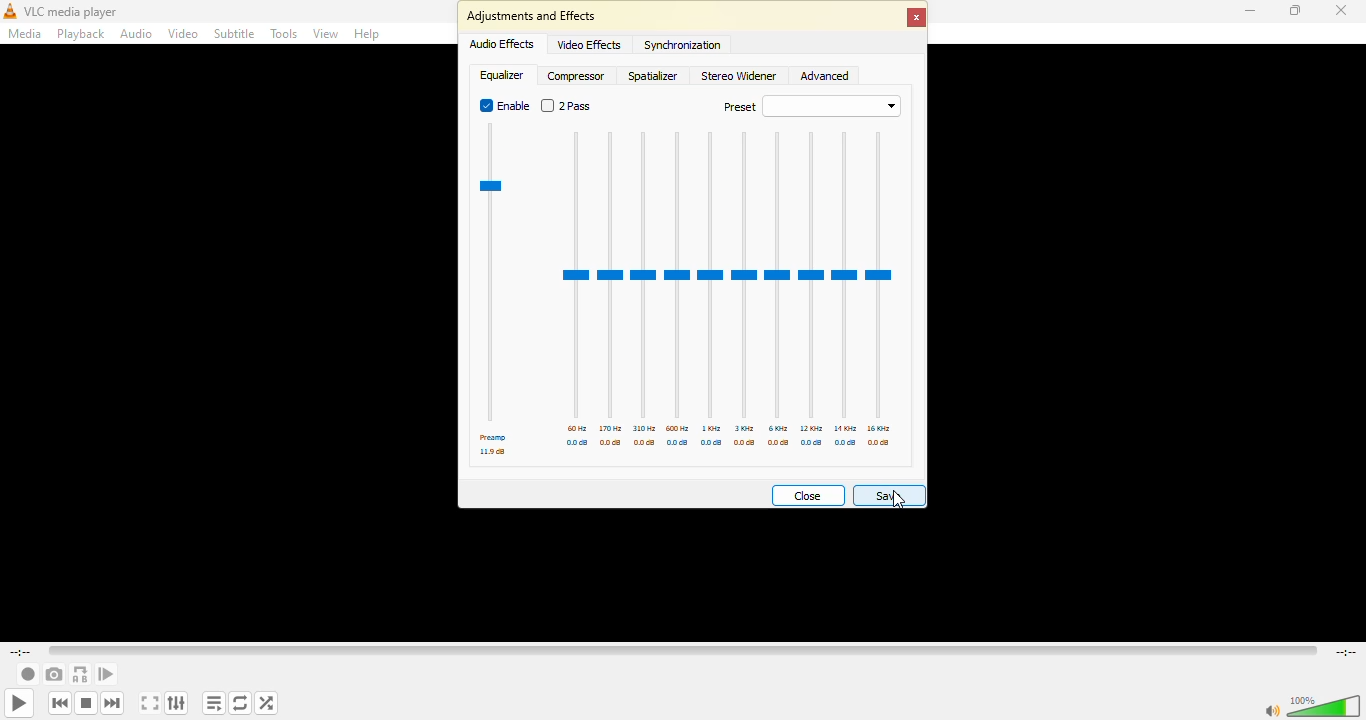  What do you see at coordinates (1327, 706) in the screenshot?
I see `volume adjust 100%` at bounding box center [1327, 706].